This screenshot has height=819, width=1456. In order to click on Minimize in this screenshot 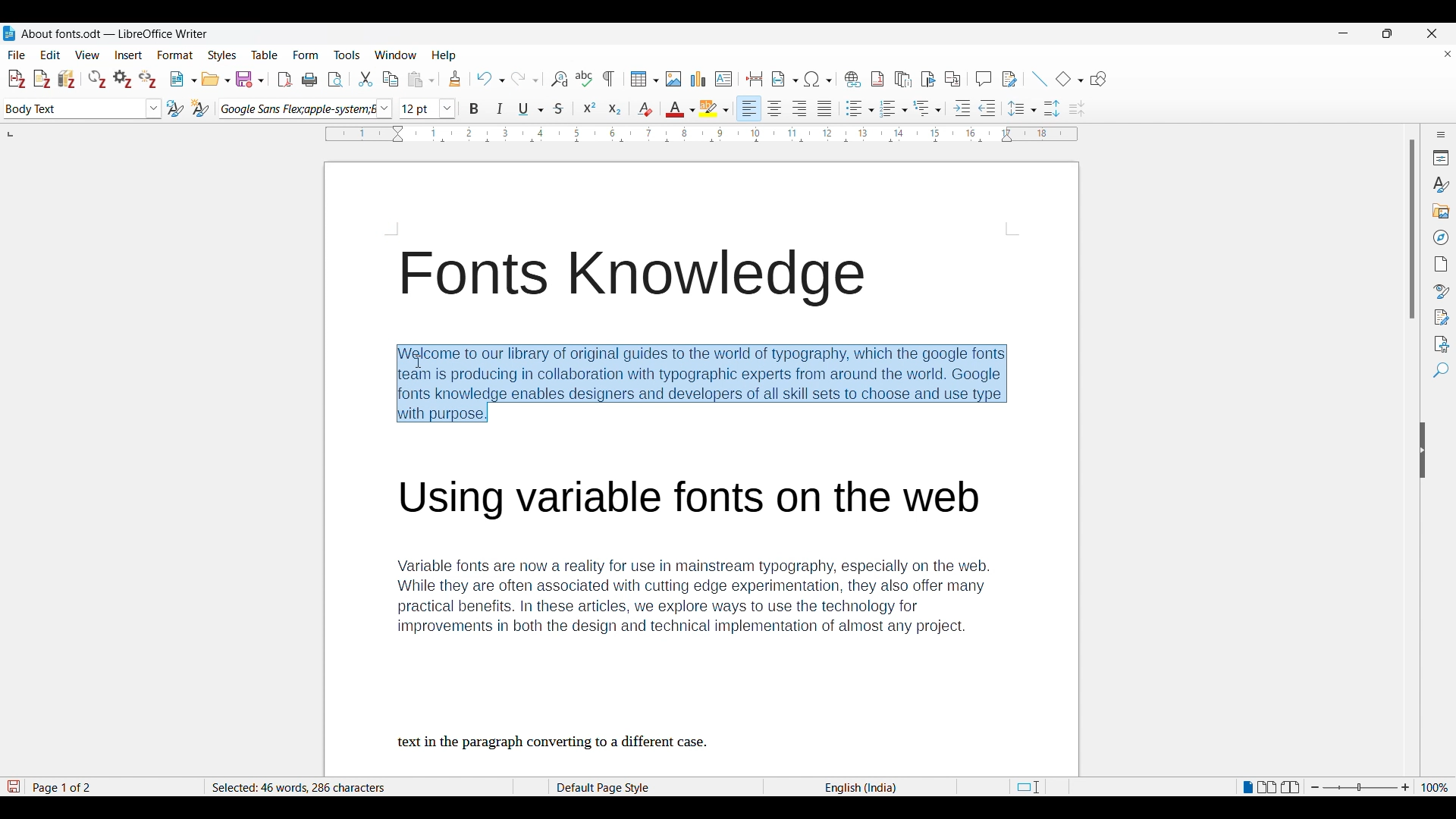, I will do `click(1344, 33)`.